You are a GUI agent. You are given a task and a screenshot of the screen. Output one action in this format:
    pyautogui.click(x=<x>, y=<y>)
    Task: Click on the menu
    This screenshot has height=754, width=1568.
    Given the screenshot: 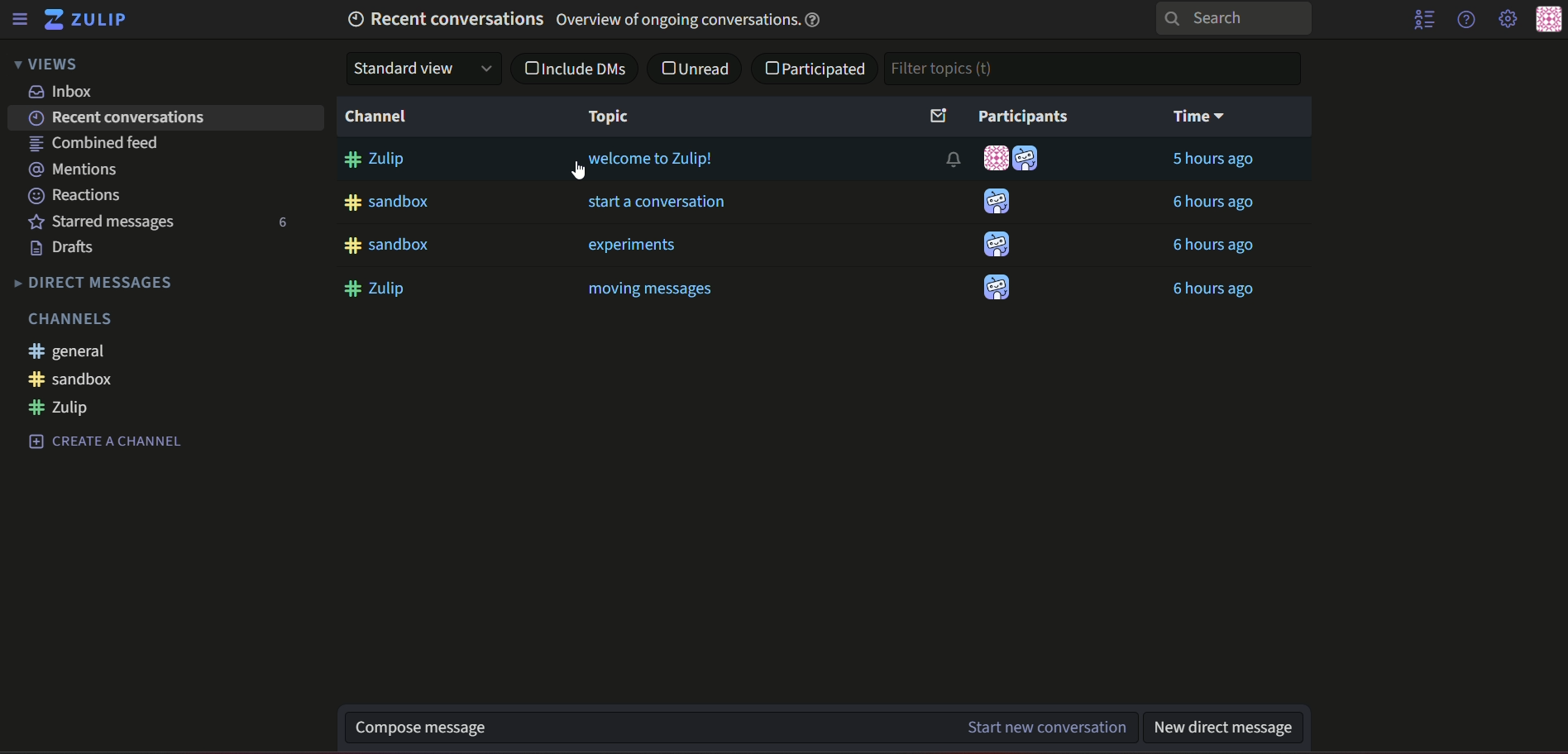 What is the action you would take?
    pyautogui.click(x=23, y=19)
    